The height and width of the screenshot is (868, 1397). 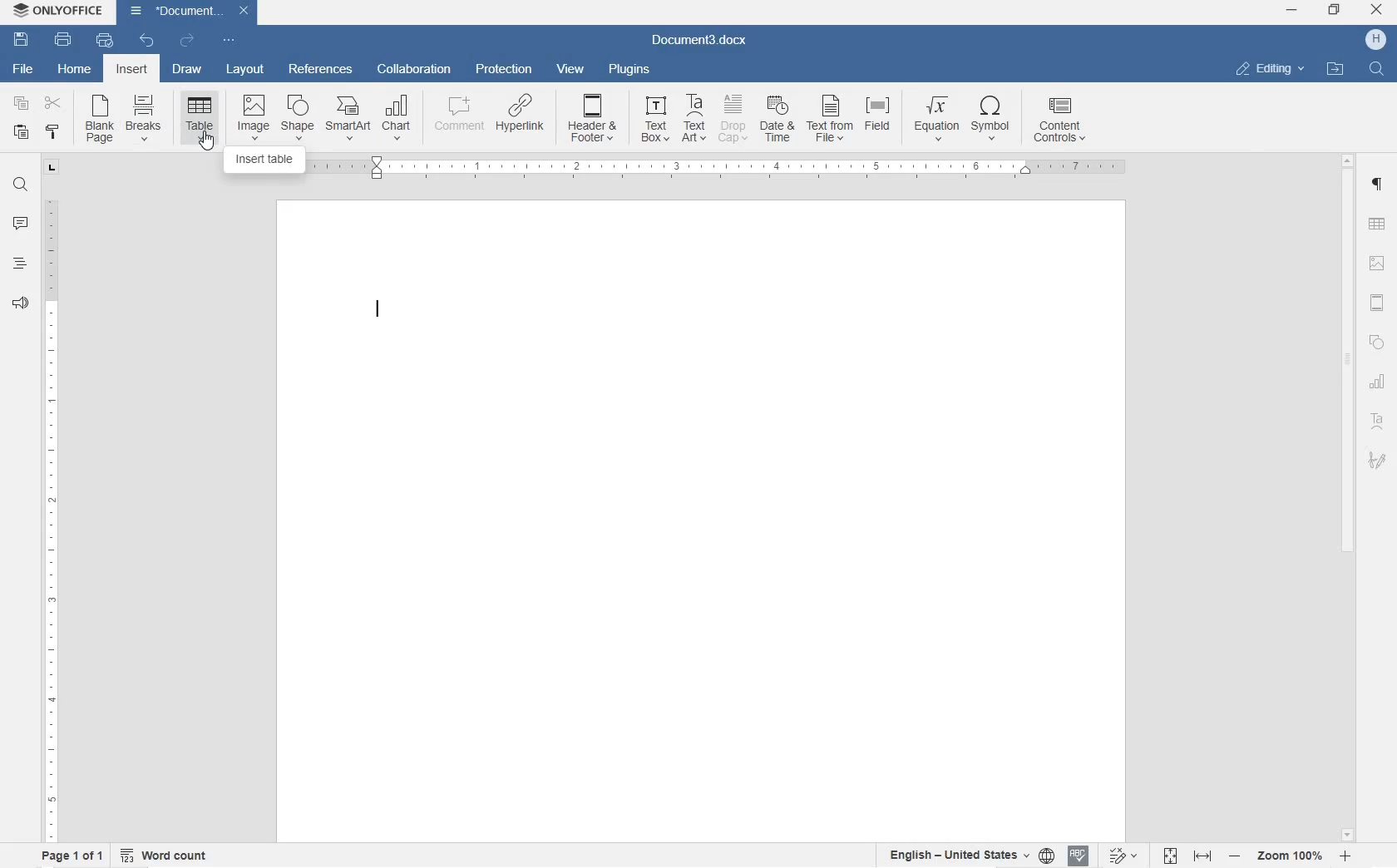 What do you see at coordinates (57, 106) in the screenshot?
I see `CUT` at bounding box center [57, 106].